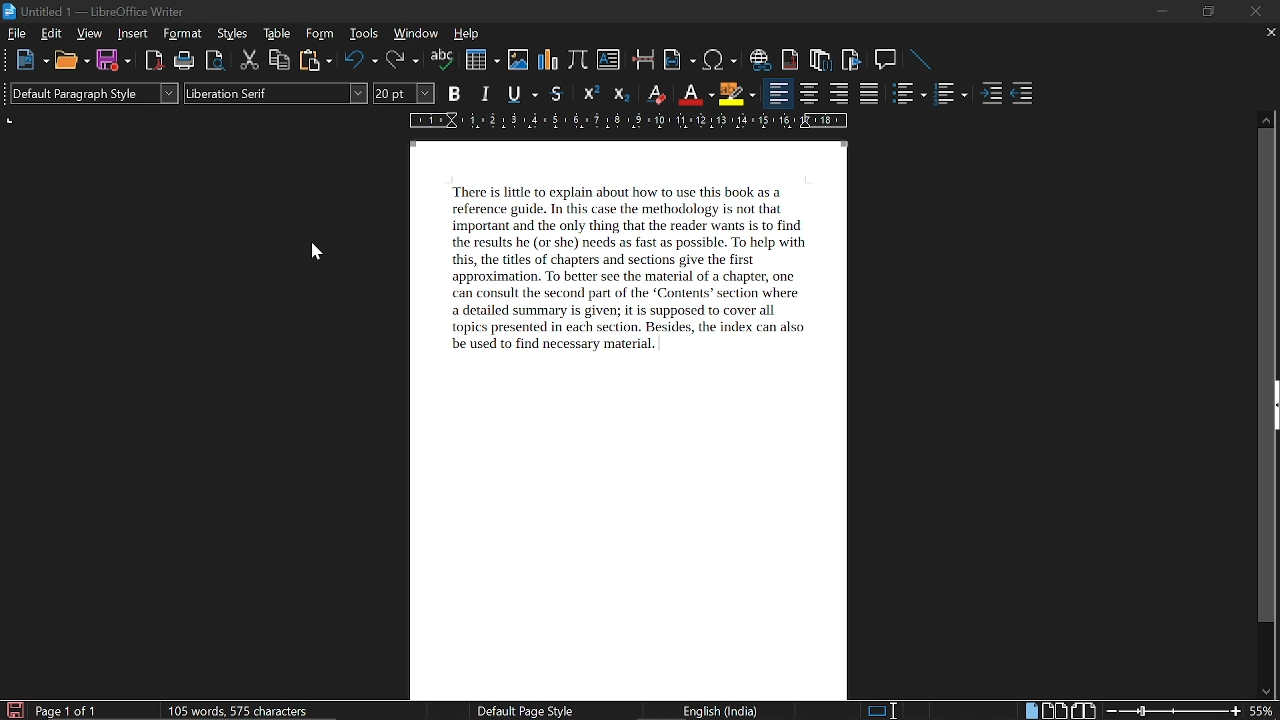 The width and height of the screenshot is (1280, 720). What do you see at coordinates (279, 61) in the screenshot?
I see `copy` at bounding box center [279, 61].